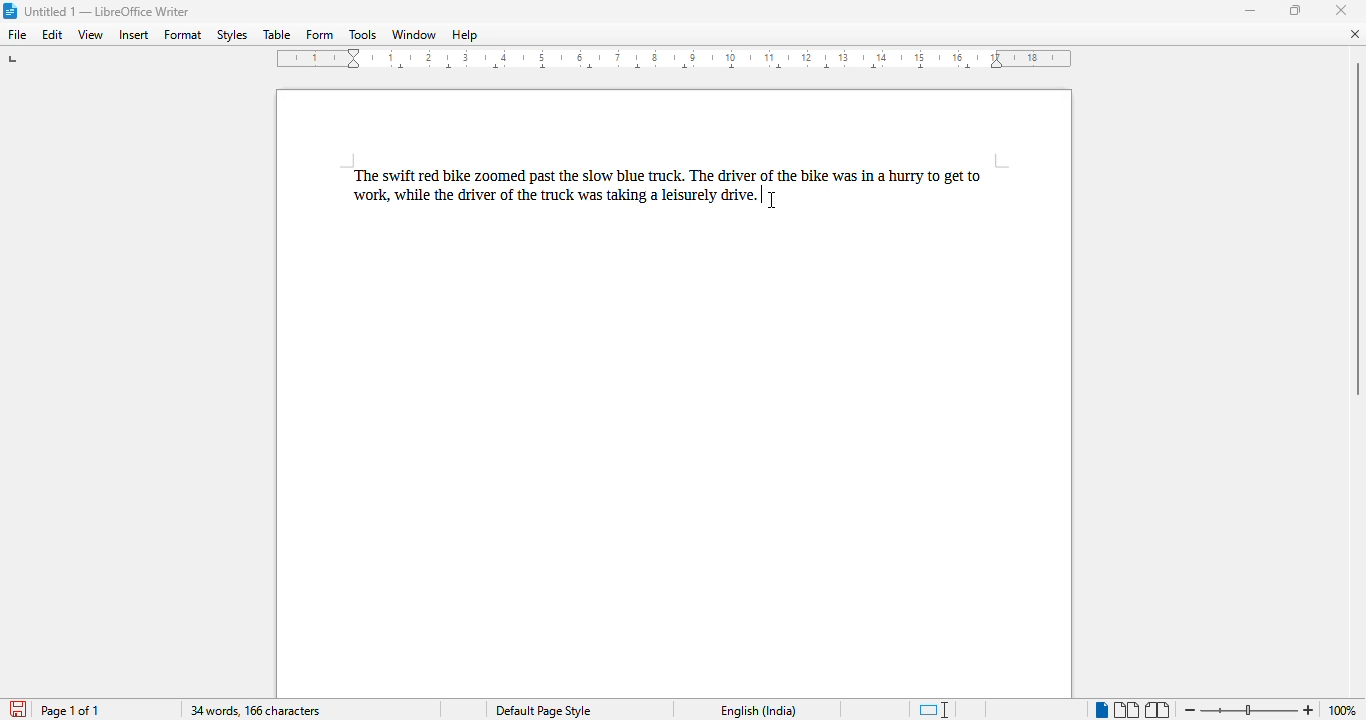  What do you see at coordinates (320, 35) in the screenshot?
I see `form` at bounding box center [320, 35].